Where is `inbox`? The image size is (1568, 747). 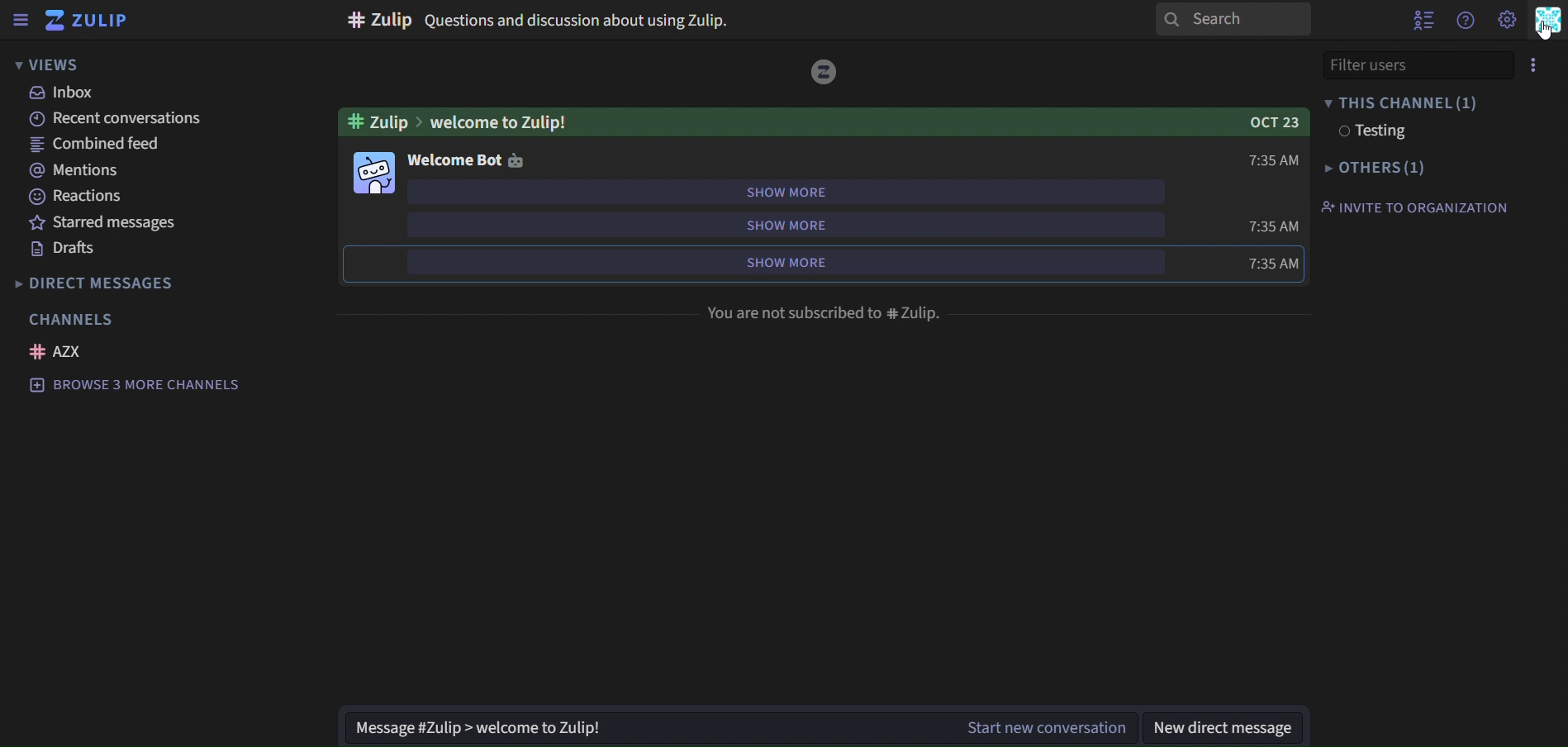 inbox is located at coordinates (64, 95).